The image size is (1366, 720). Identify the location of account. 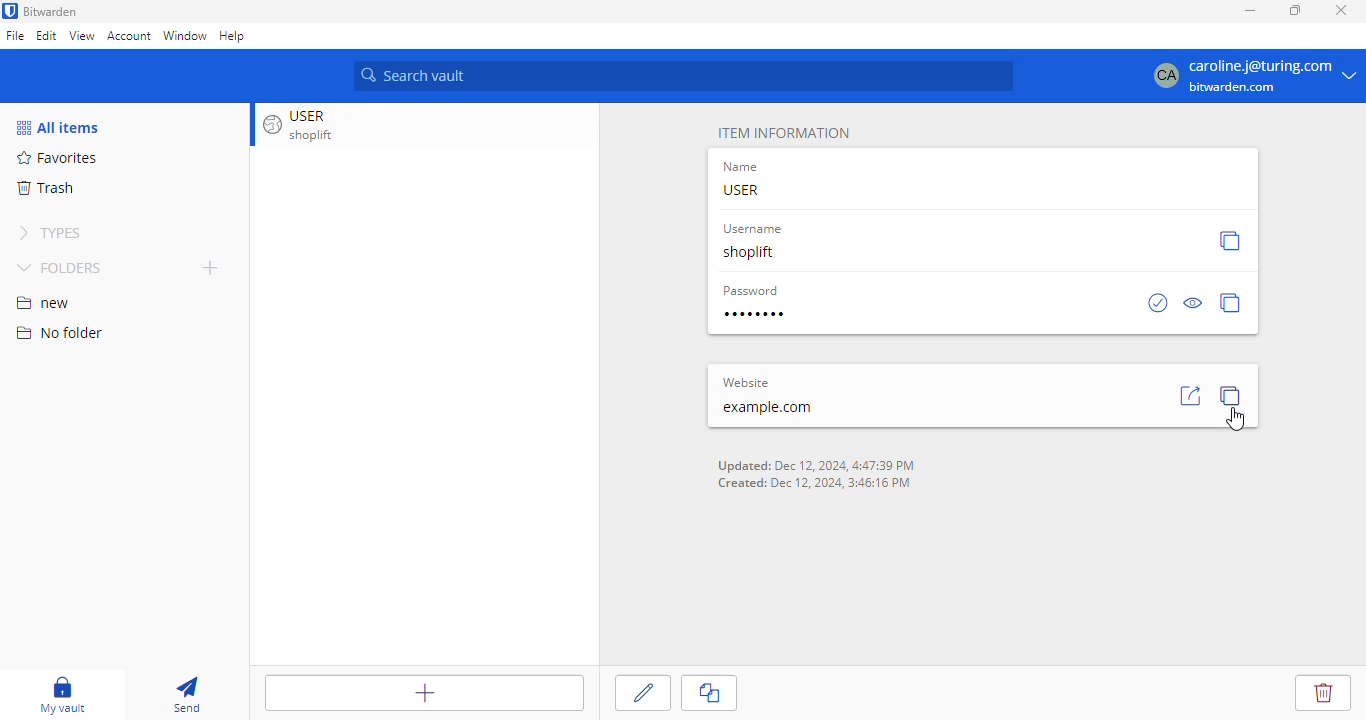
(130, 36).